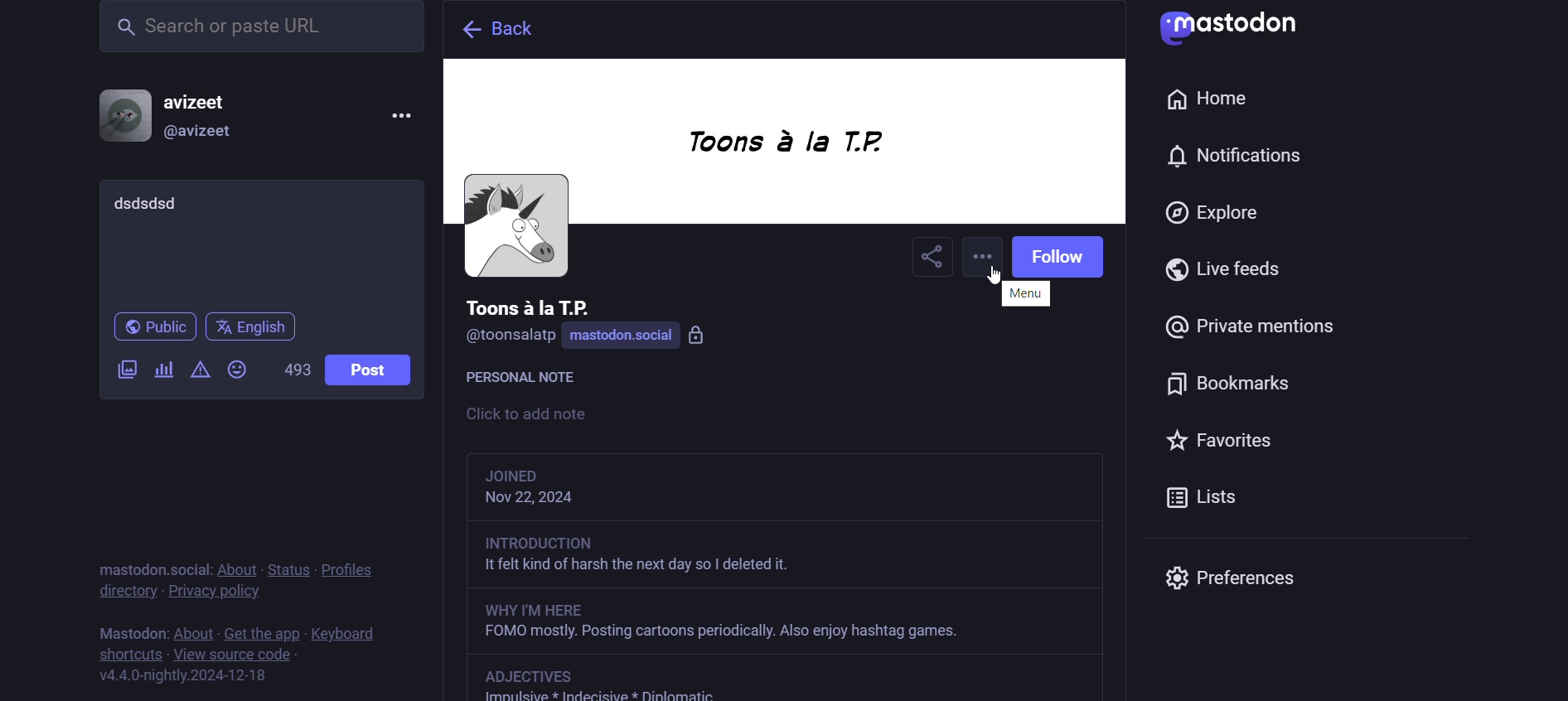 Image resolution: width=1568 pixels, height=701 pixels. What do you see at coordinates (128, 371) in the screenshot?
I see `add a image` at bounding box center [128, 371].